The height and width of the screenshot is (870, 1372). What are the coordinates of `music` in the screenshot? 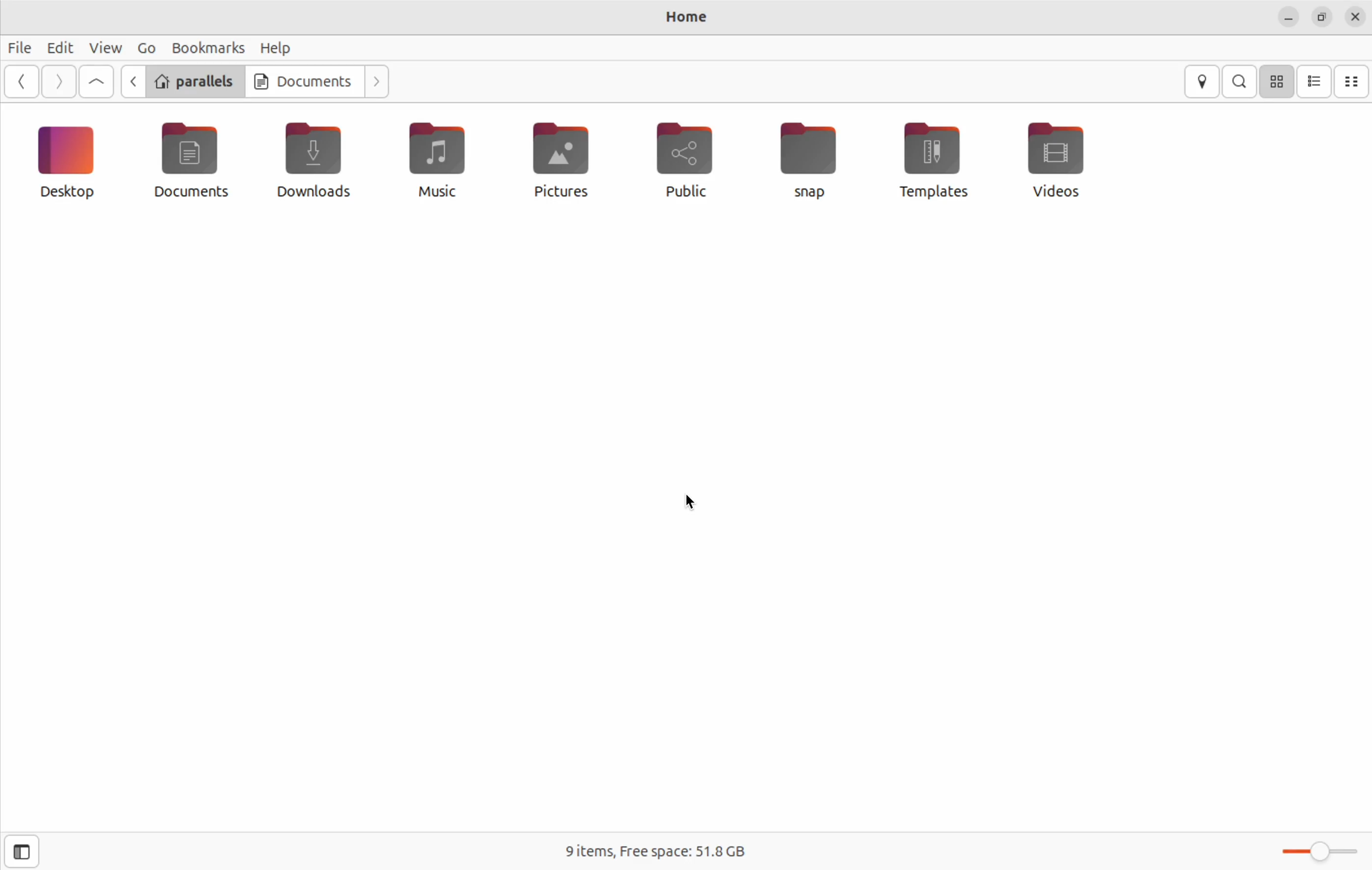 It's located at (439, 164).